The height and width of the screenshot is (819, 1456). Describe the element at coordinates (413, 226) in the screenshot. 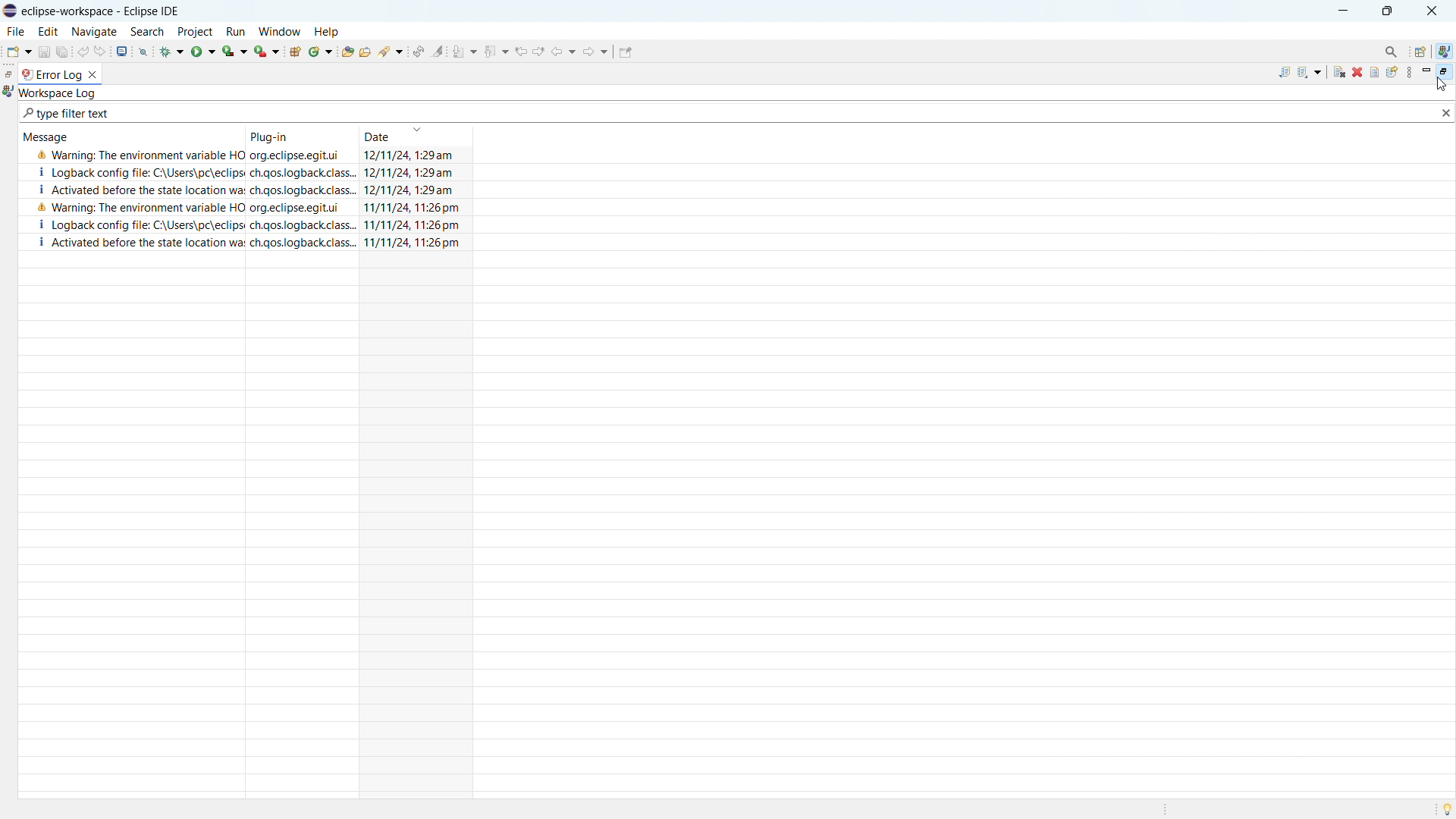

I see `11/11/24 11:26pm` at that location.